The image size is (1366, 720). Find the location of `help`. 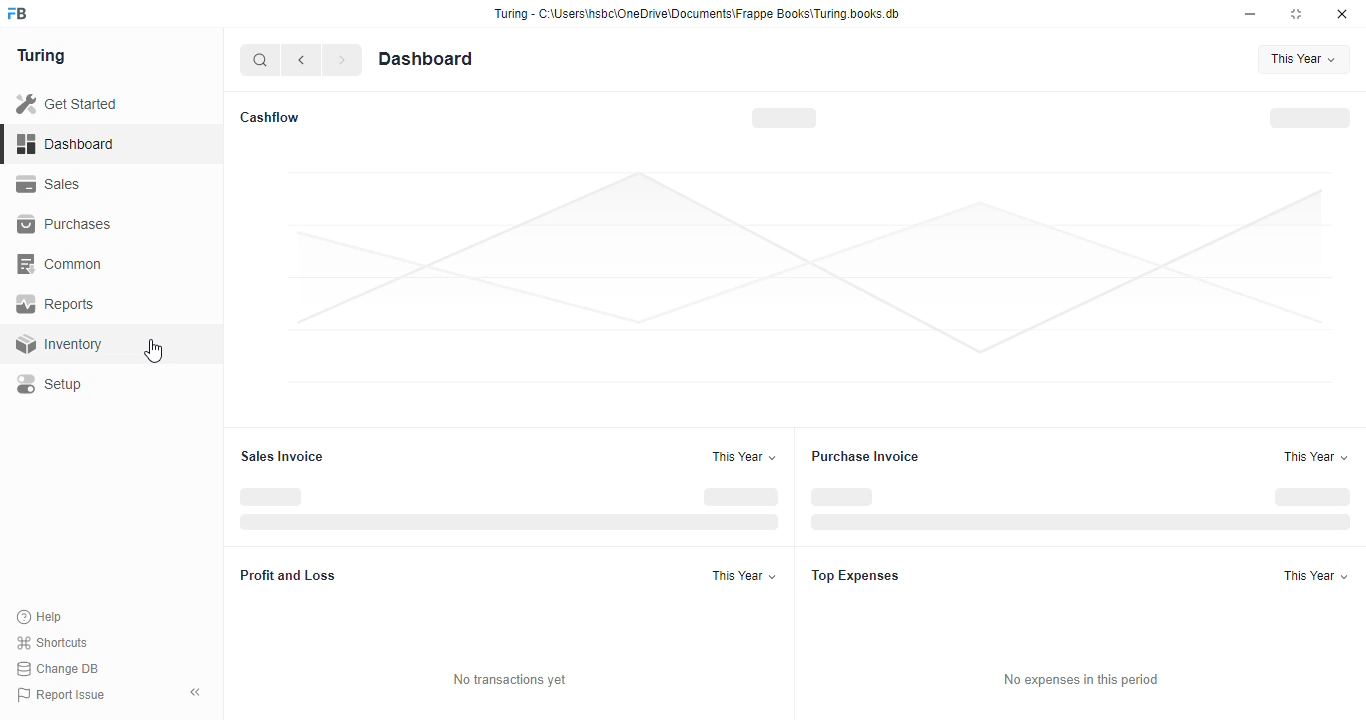

help is located at coordinates (40, 617).